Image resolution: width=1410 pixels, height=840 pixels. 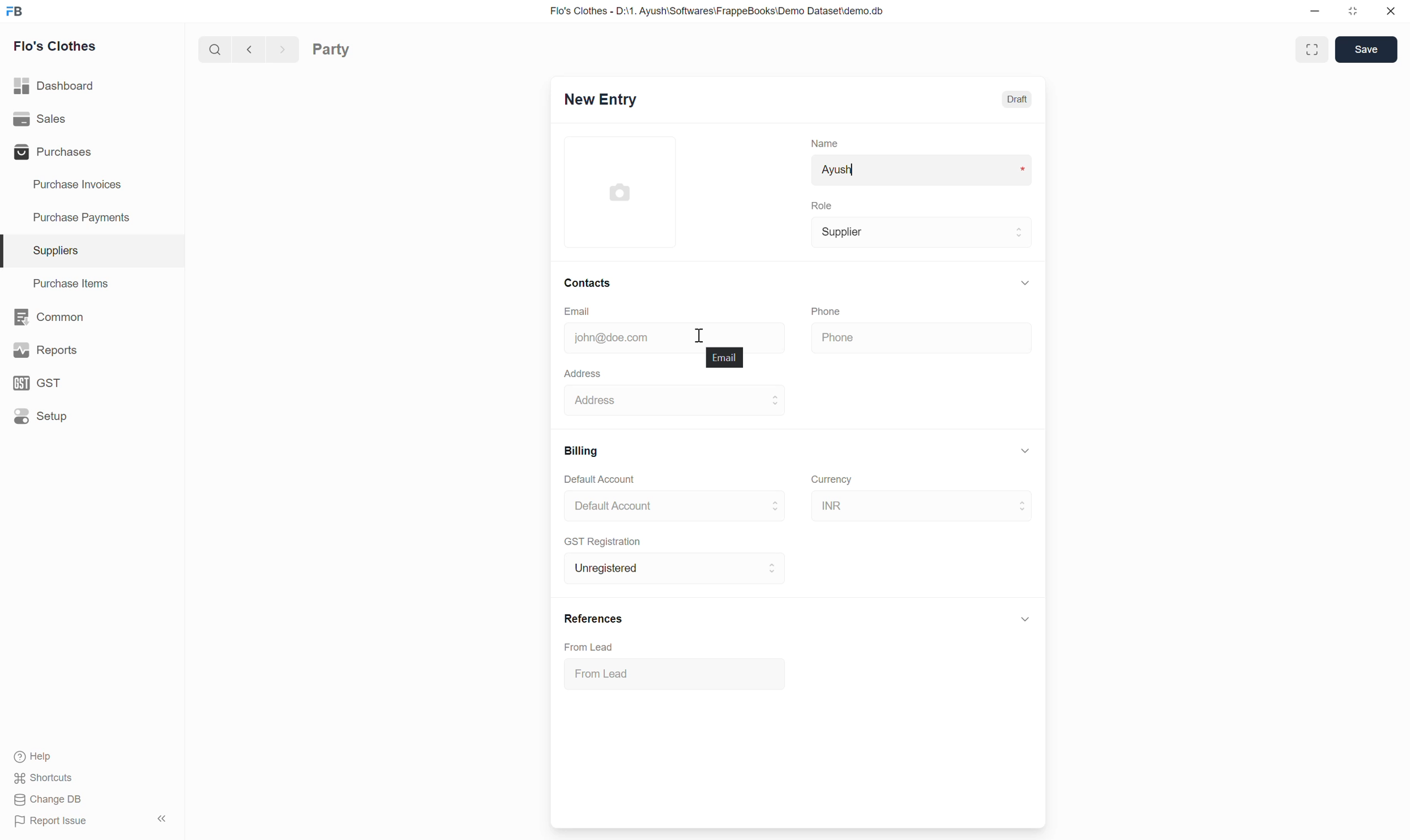 What do you see at coordinates (826, 311) in the screenshot?
I see `Phone` at bounding box center [826, 311].